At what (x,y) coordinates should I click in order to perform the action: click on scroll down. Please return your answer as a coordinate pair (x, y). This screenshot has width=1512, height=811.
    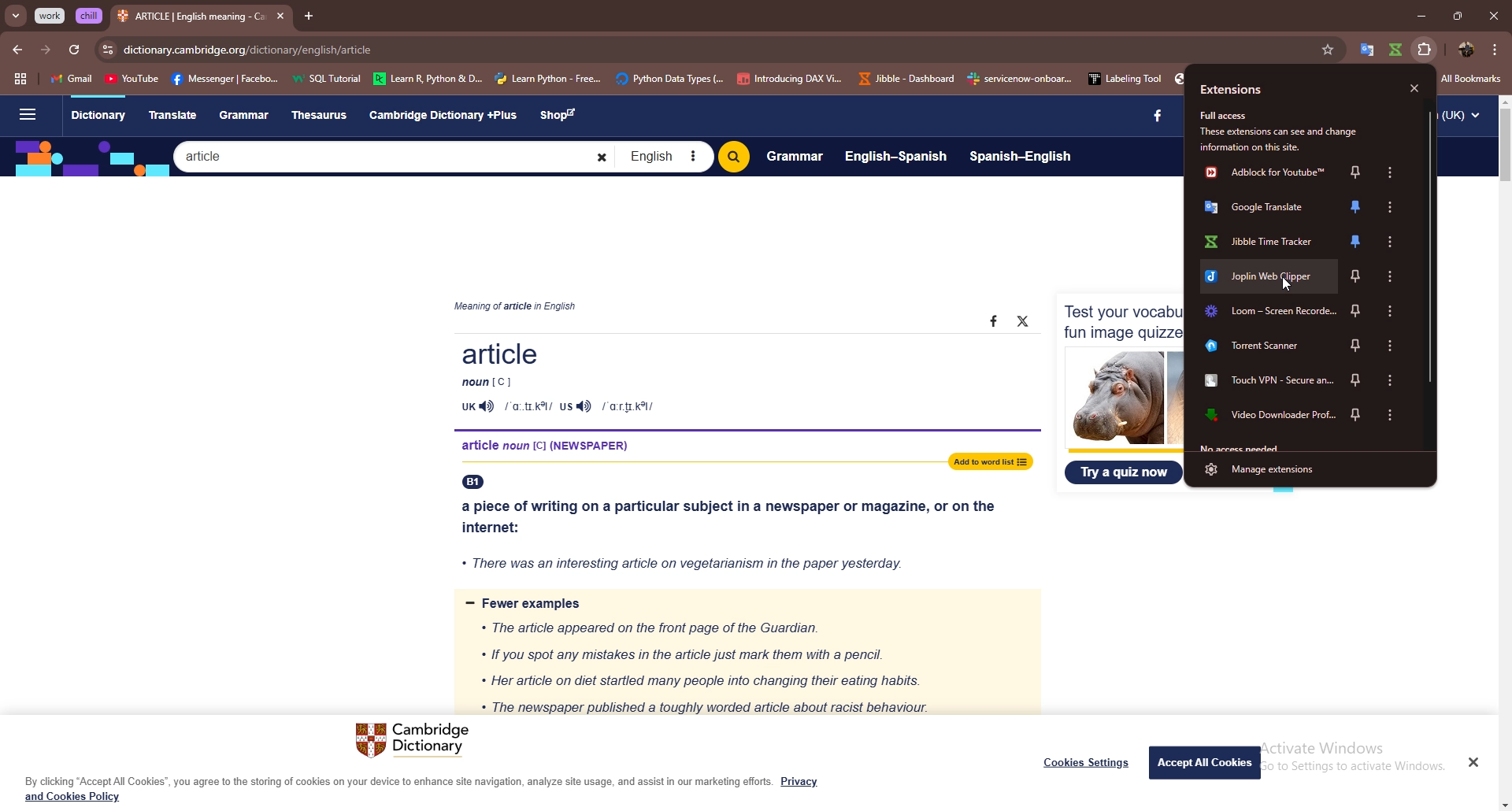
    Looking at the image, I should click on (1503, 805).